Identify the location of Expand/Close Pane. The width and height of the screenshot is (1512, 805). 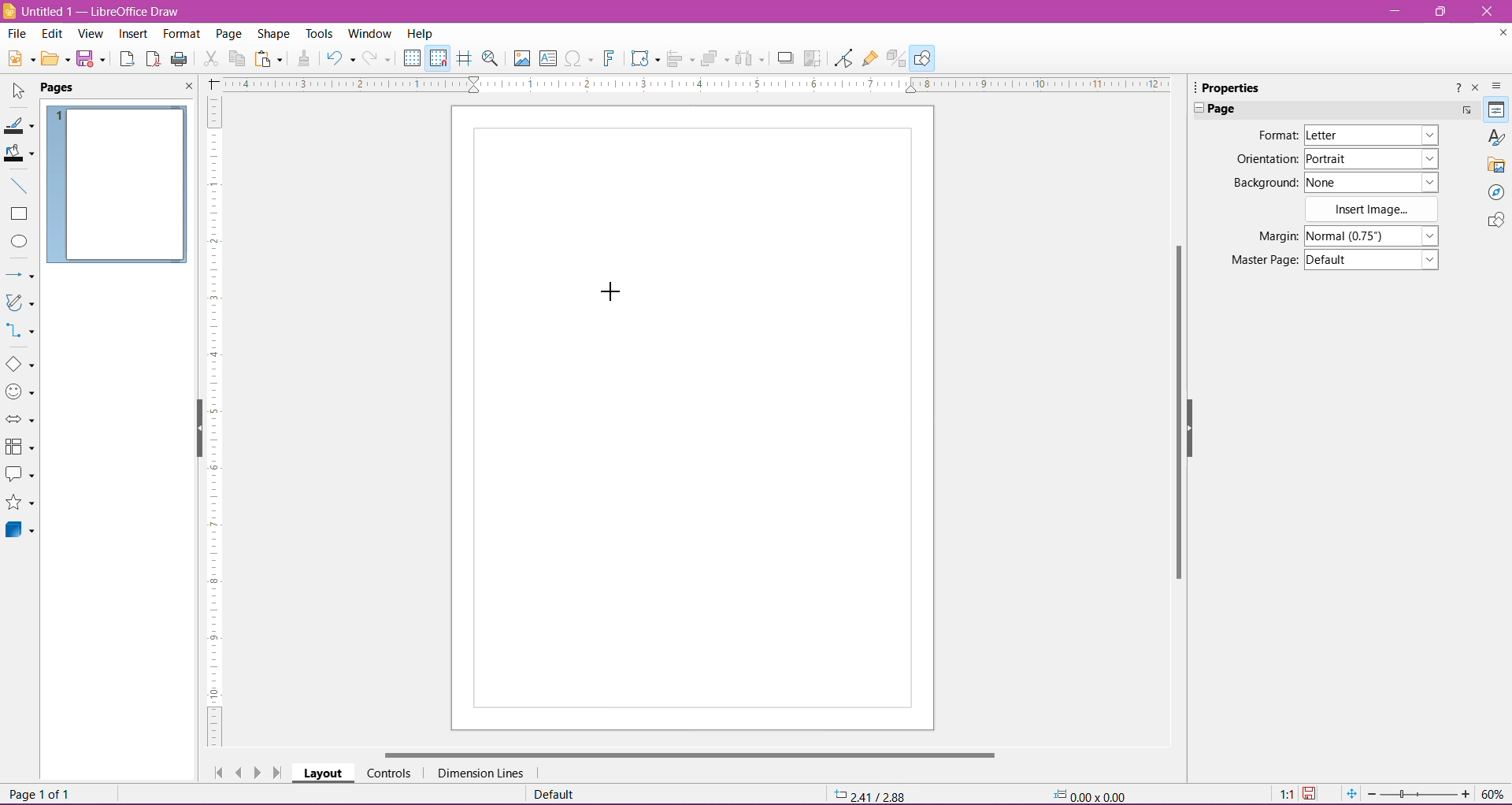
(1193, 109).